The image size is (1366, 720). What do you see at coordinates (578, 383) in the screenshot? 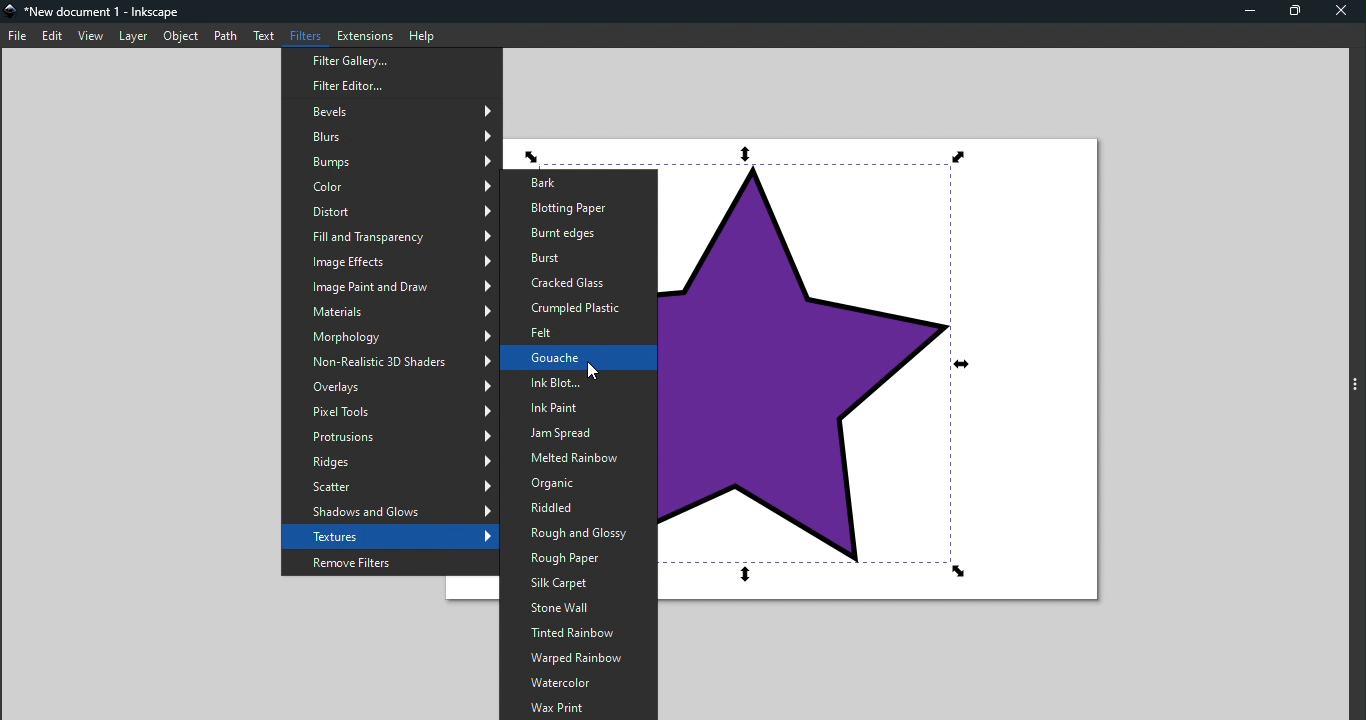
I see `Ink Blot` at bounding box center [578, 383].